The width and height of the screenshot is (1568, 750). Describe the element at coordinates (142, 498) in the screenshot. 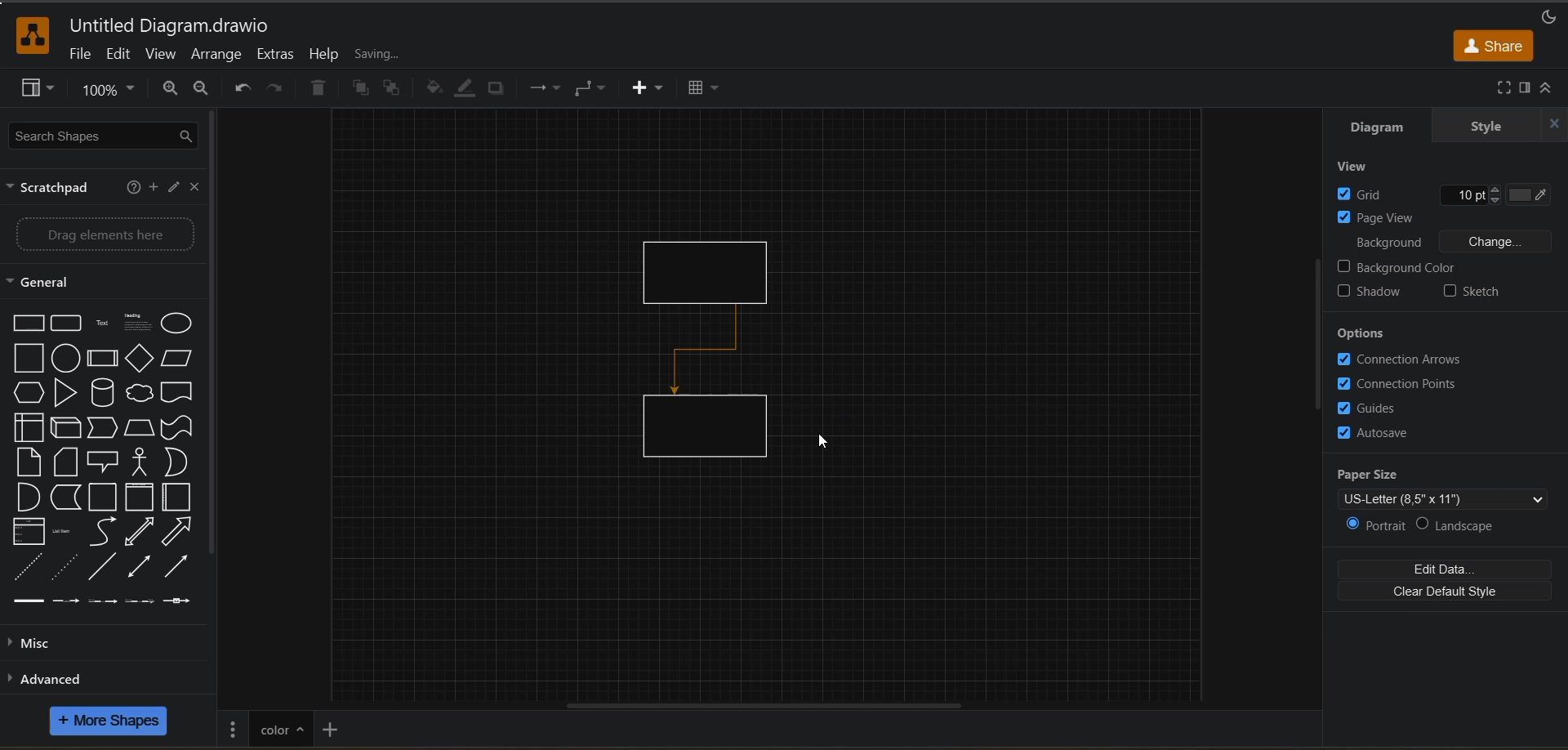

I see `Vertical Container` at that location.